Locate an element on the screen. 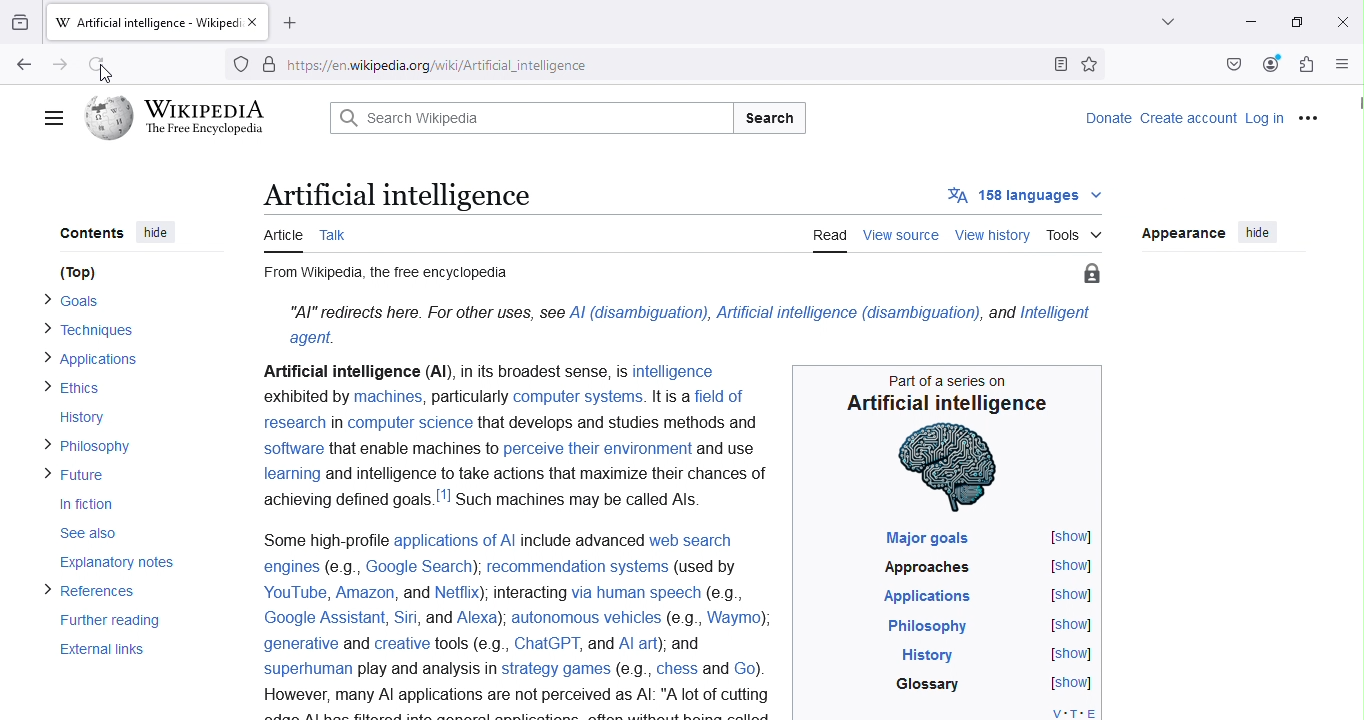 The height and width of the screenshot is (720, 1364). Scroll bar is located at coordinates (1356, 397).